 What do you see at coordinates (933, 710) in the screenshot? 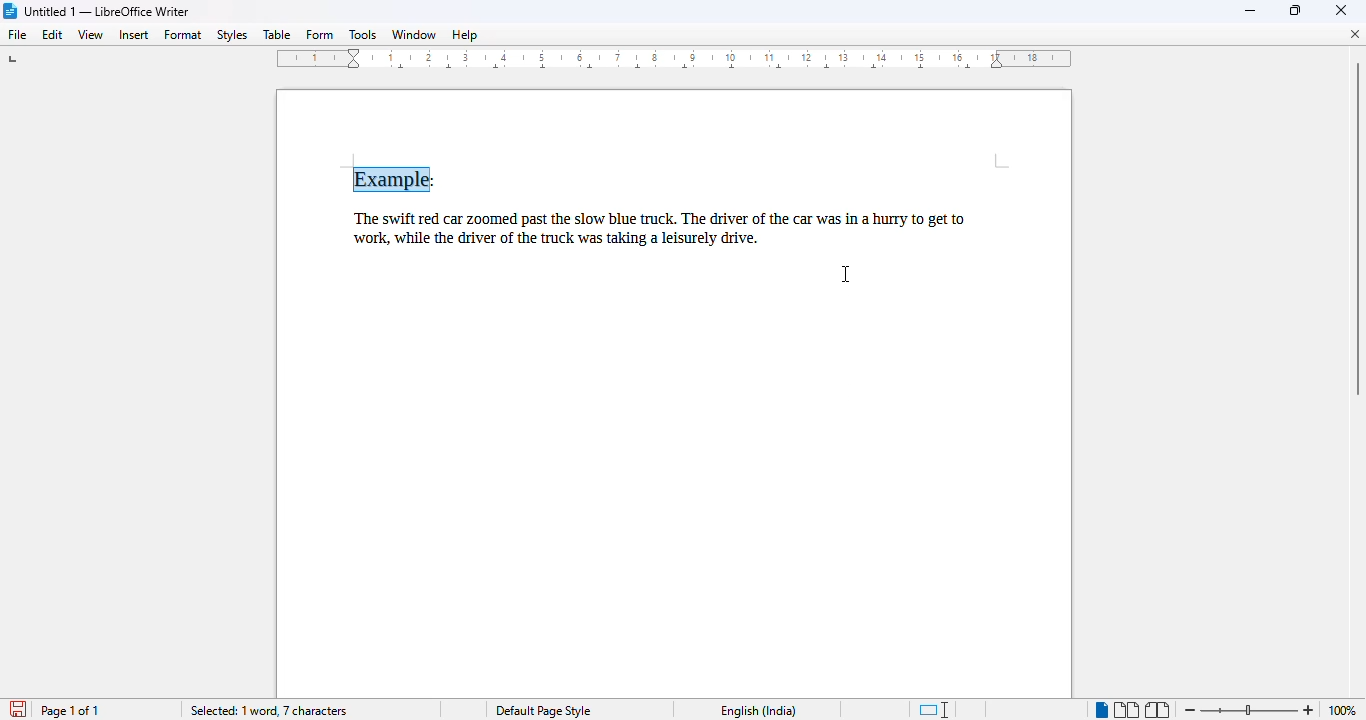
I see `standard selection` at bounding box center [933, 710].